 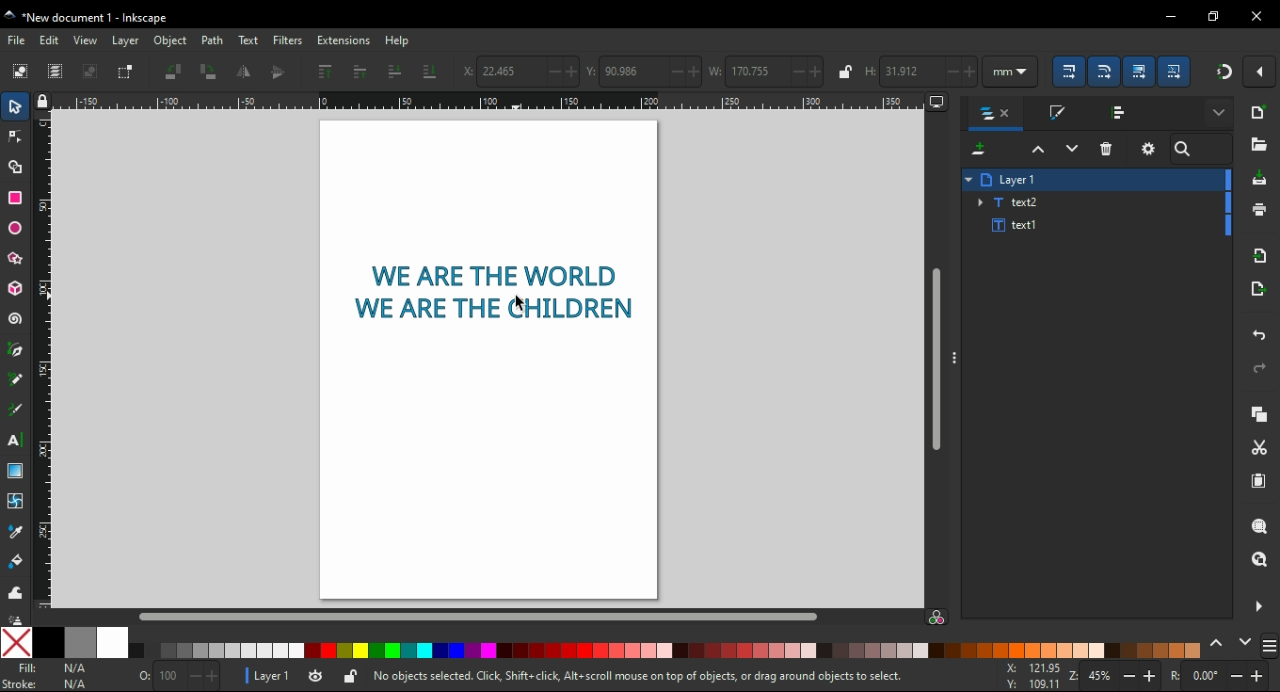 I want to click on object rotate 90 , so click(x=209, y=71).